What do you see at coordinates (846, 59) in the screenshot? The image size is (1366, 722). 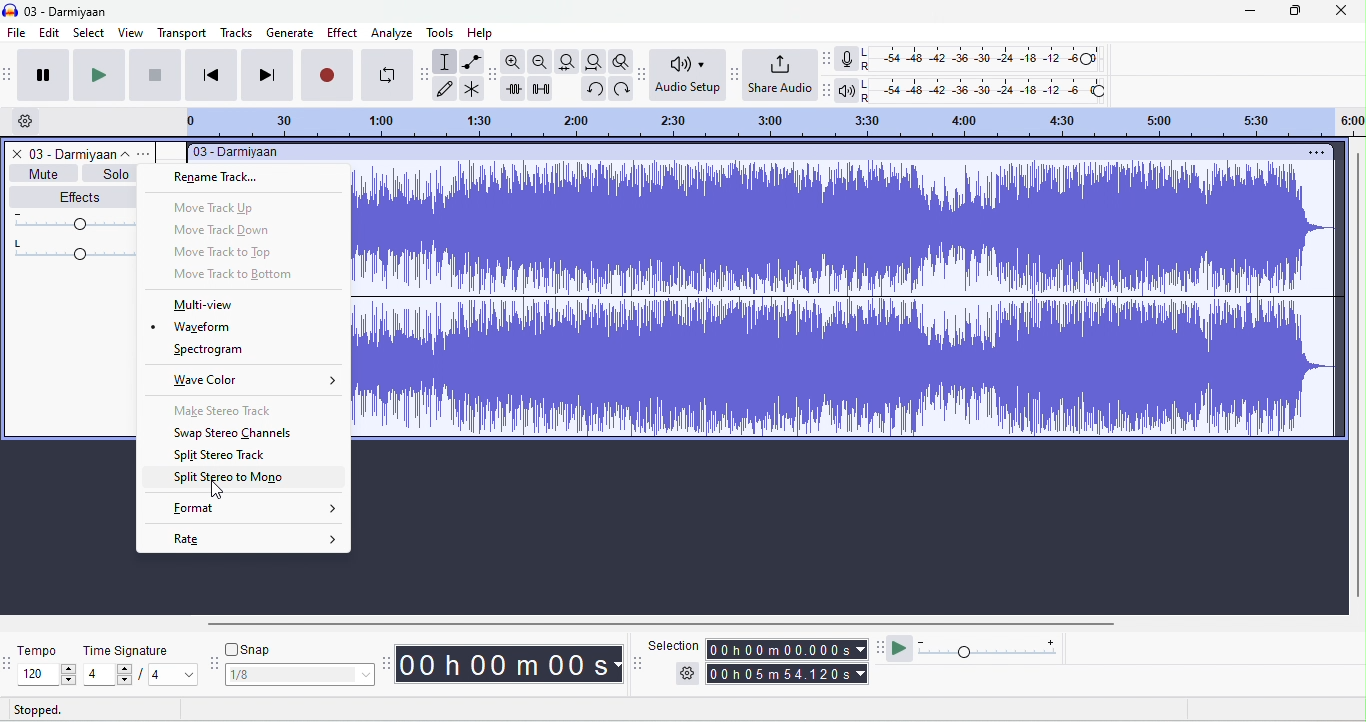 I see `record meter` at bounding box center [846, 59].